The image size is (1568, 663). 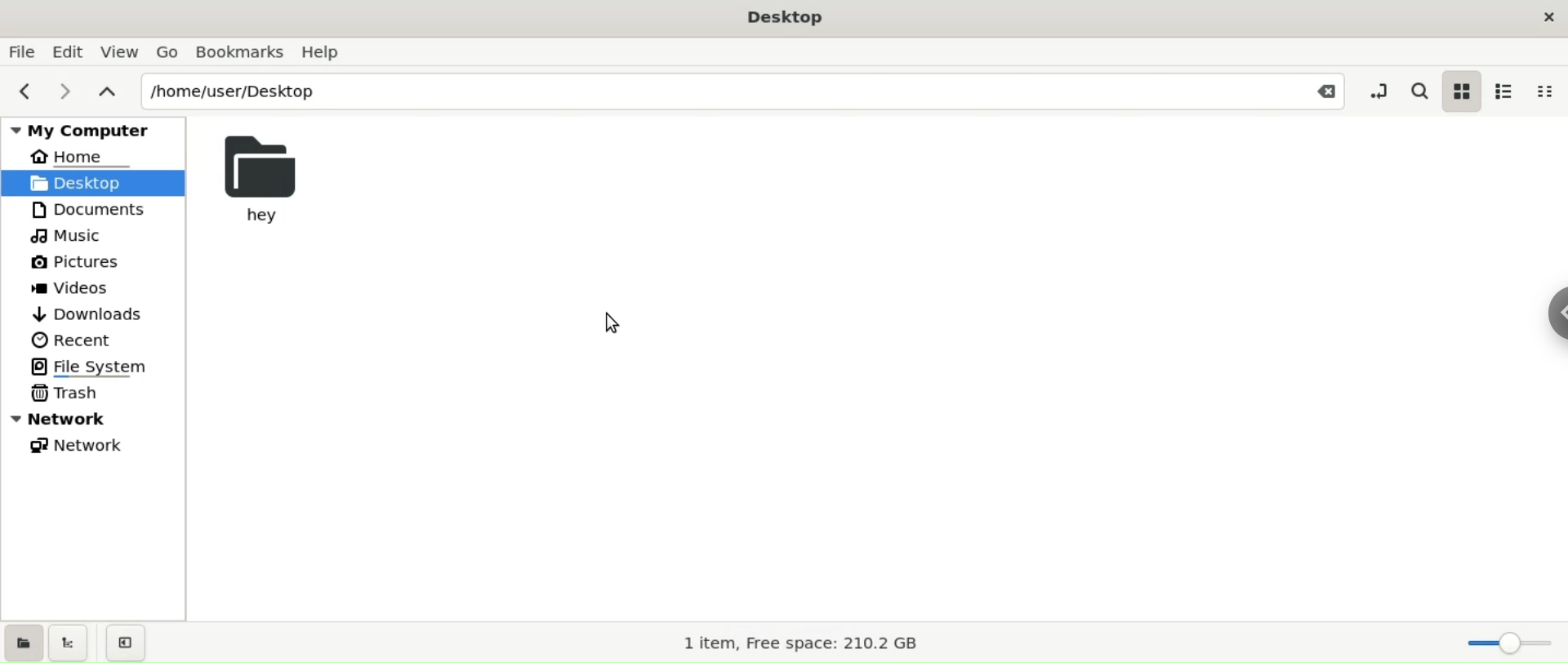 What do you see at coordinates (24, 644) in the screenshot?
I see `show places` at bounding box center [24, 644].